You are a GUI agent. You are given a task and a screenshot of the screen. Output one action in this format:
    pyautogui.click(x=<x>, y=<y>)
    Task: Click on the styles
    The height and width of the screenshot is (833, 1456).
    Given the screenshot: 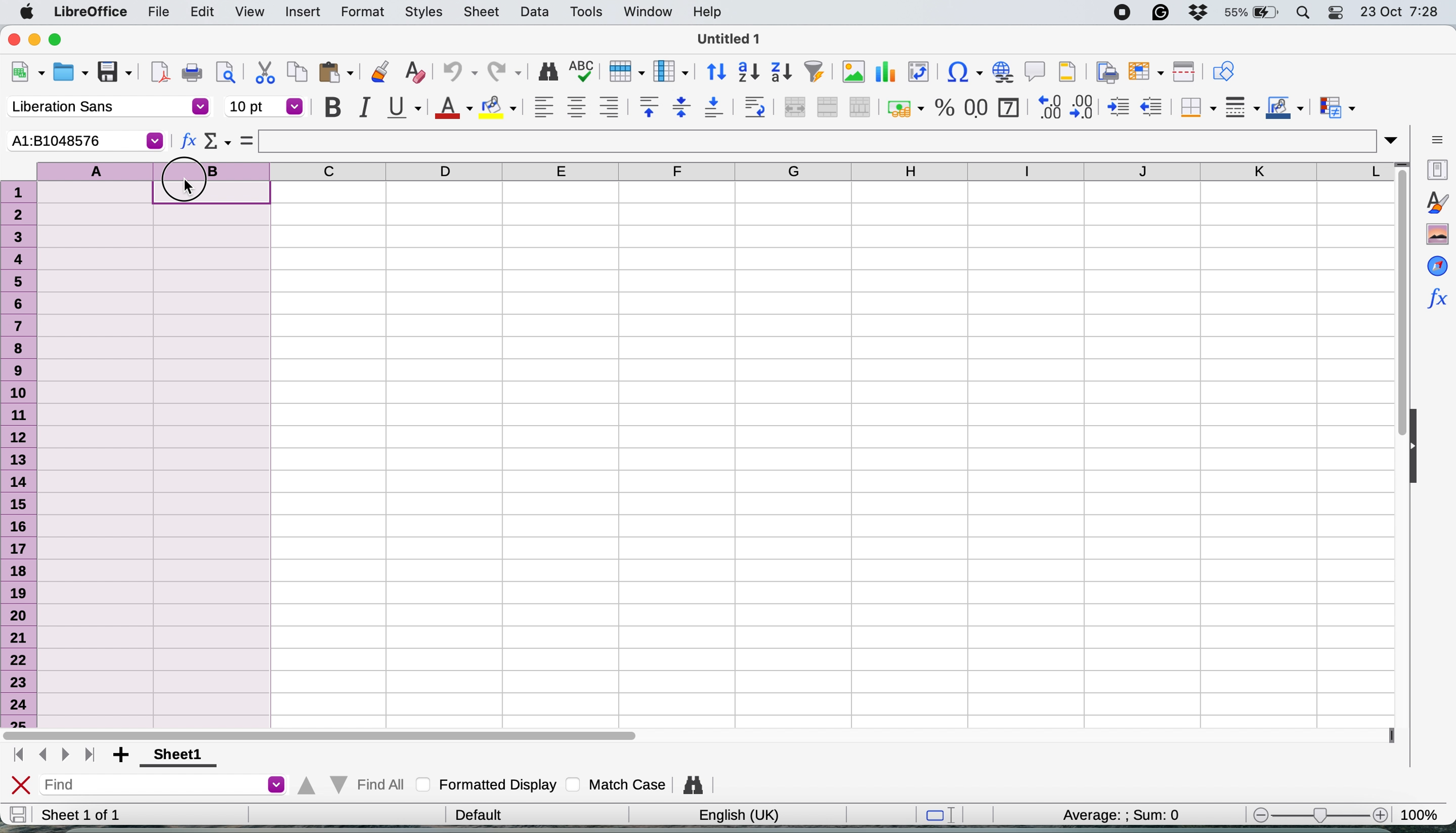 What is the action you would take?
    pyautogui.click(x=420, y=11)
    